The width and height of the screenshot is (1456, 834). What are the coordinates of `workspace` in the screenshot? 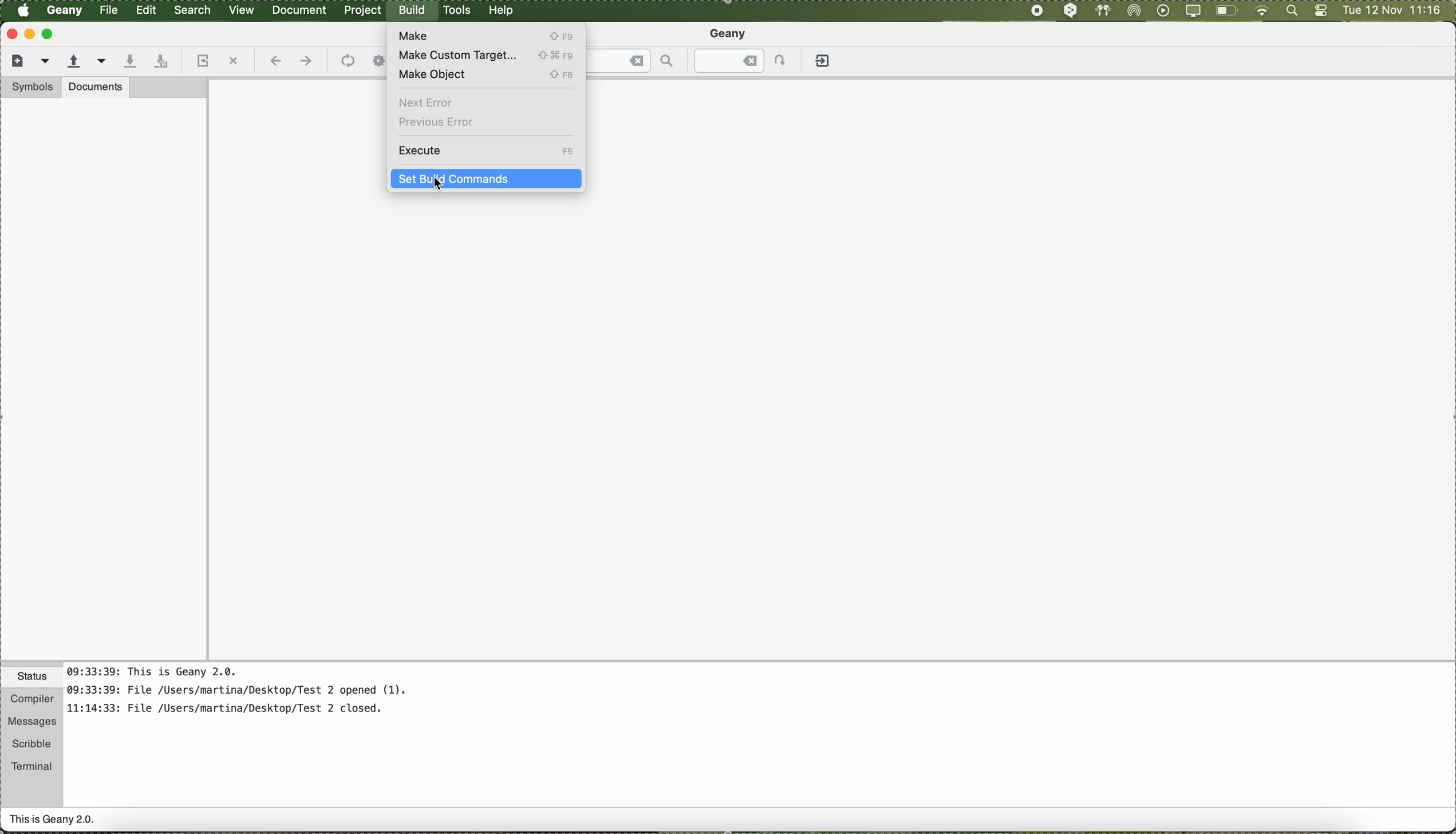 It's located at (832, 431).